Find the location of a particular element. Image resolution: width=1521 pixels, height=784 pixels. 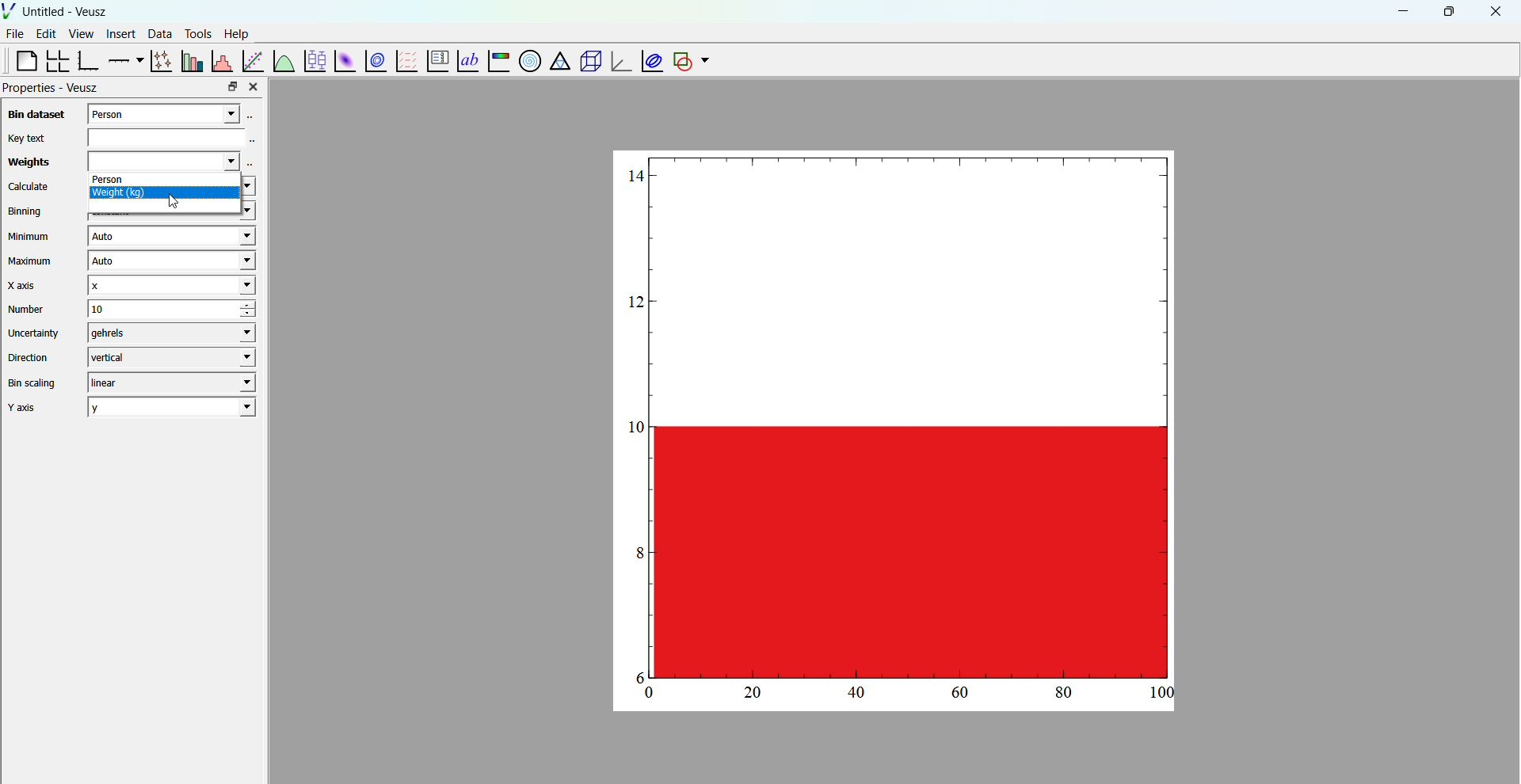

base graph is located at coordinates (88, 61).